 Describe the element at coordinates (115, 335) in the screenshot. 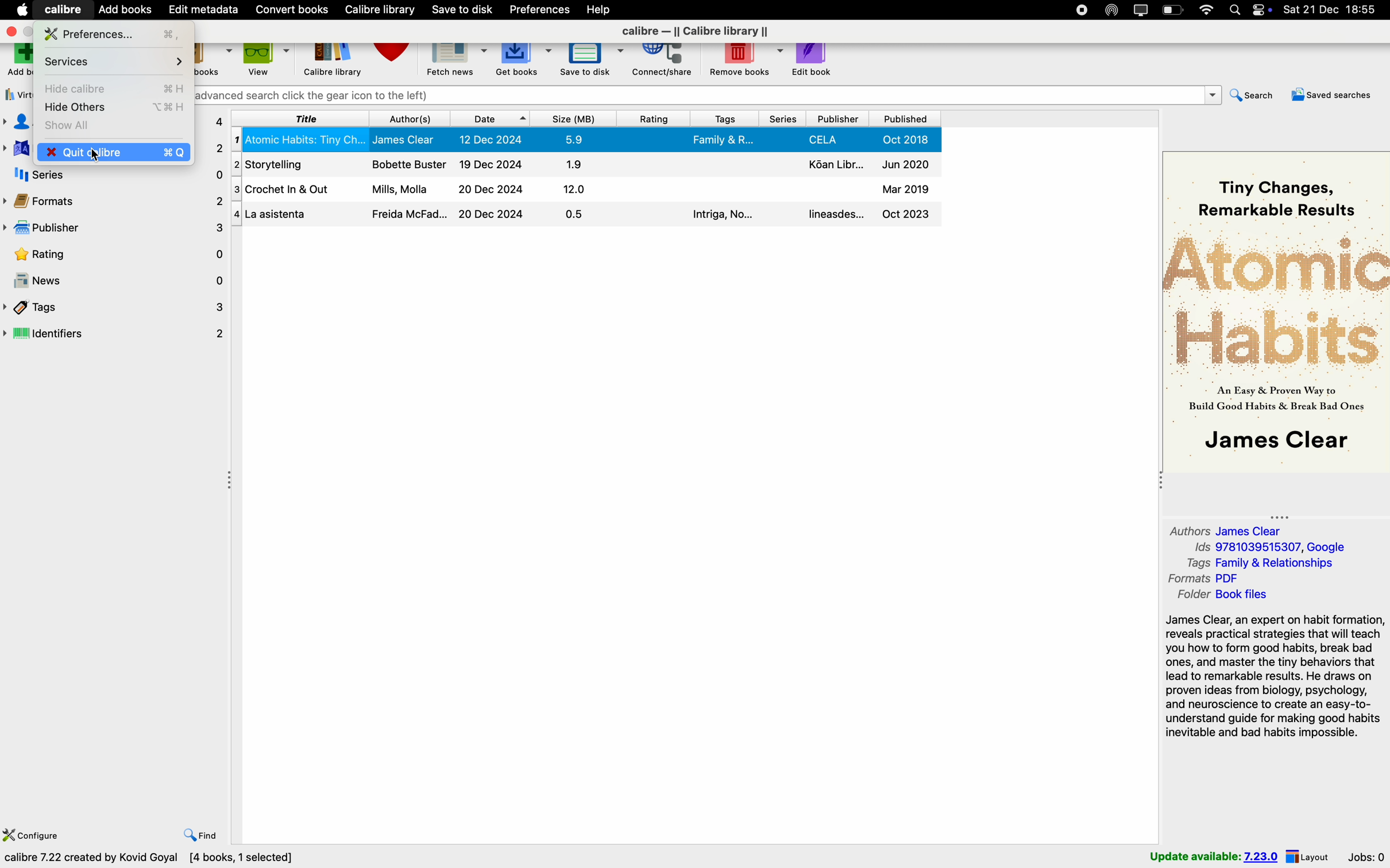

I see `identifiers` at that location.